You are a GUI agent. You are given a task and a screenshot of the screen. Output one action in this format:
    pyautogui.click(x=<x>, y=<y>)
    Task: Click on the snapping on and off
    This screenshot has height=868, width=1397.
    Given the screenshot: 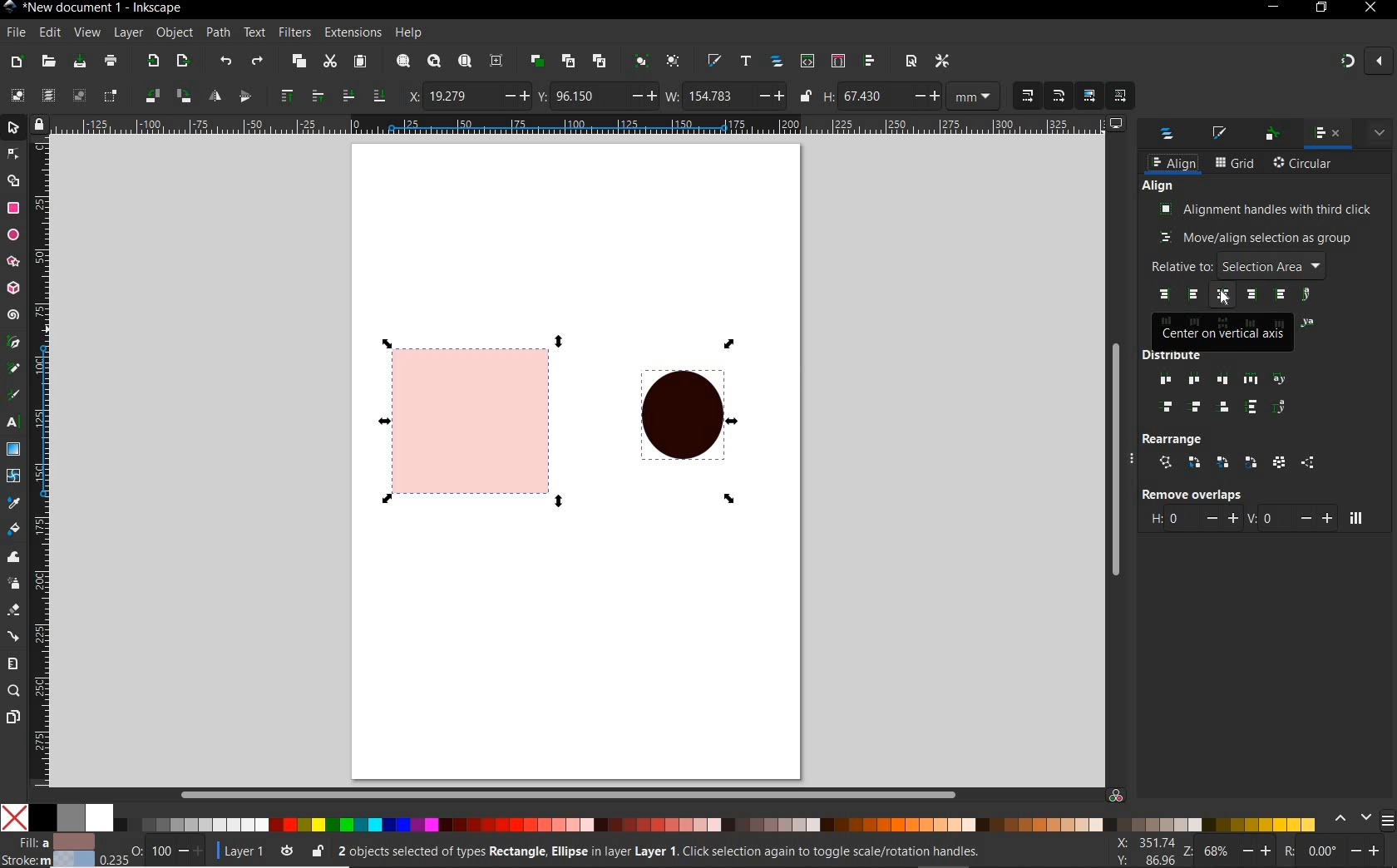 What is the action you would take?
    pyautogui.click(x=1365, y=60)
    